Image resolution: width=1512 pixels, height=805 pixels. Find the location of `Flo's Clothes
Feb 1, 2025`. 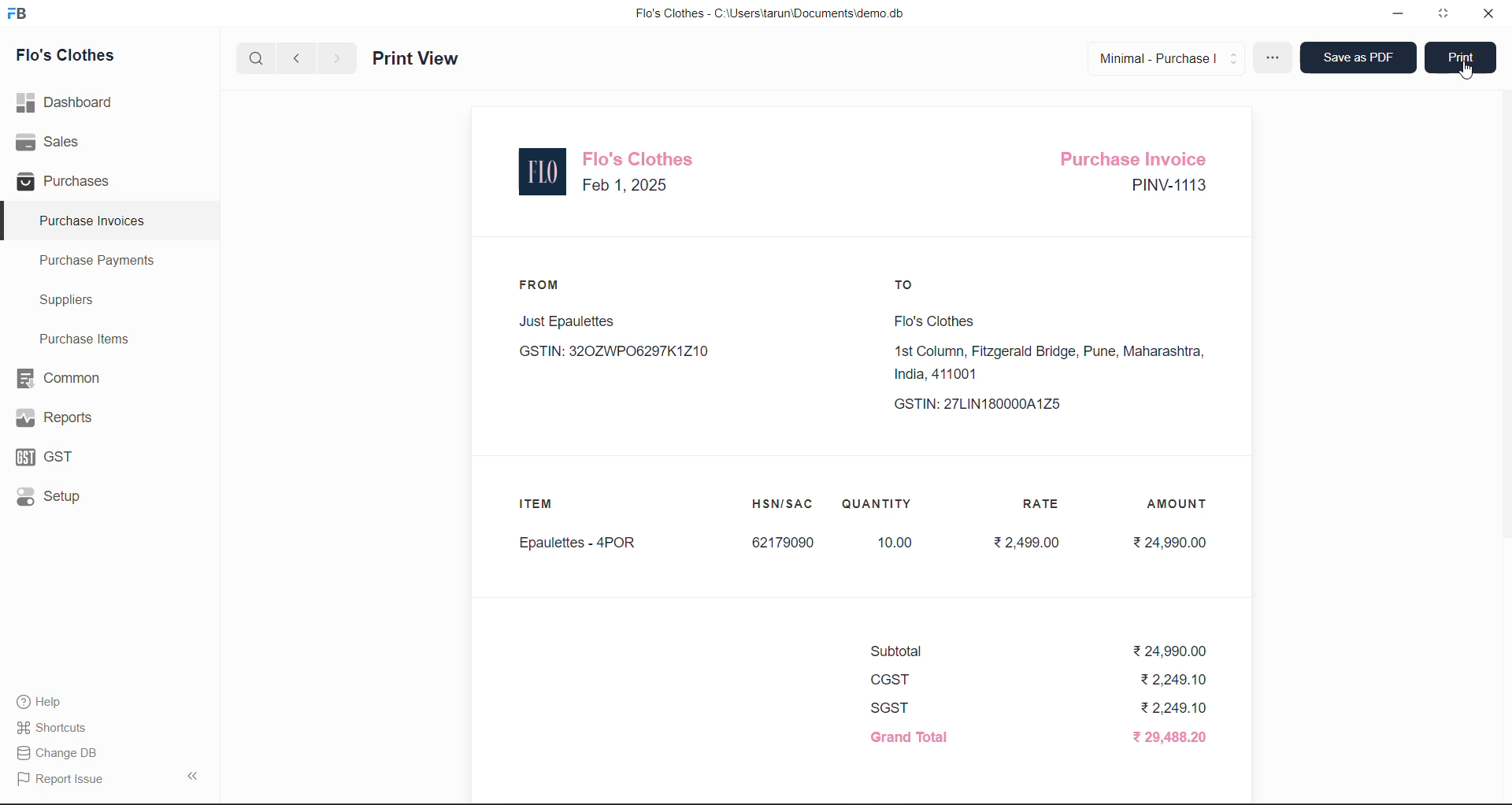

Flo's Clothes
Feb 1, 2025 is located at coordinates (643, 172).